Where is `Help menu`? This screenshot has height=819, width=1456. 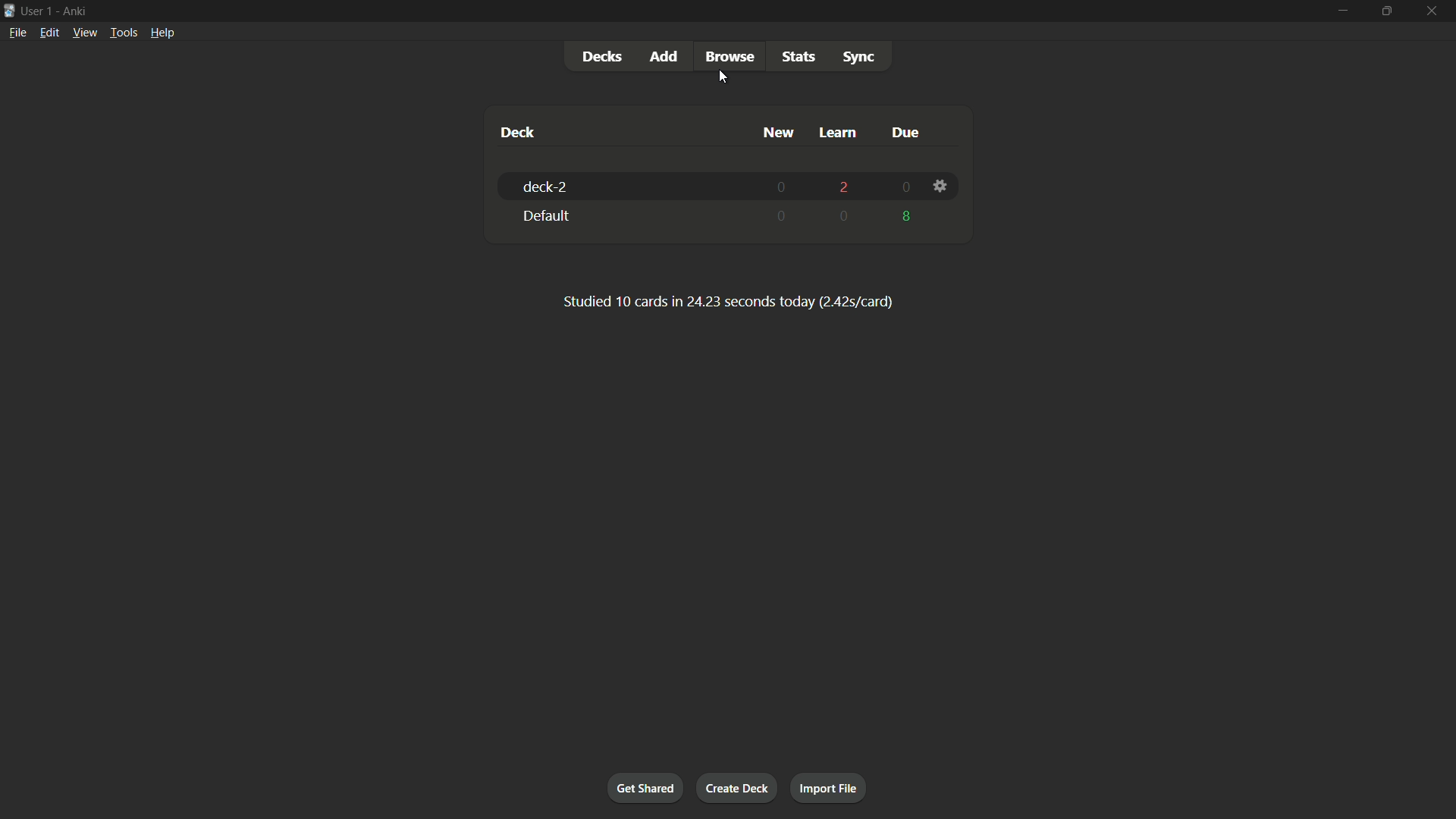
Help menu is located at coordinates (165, 33).